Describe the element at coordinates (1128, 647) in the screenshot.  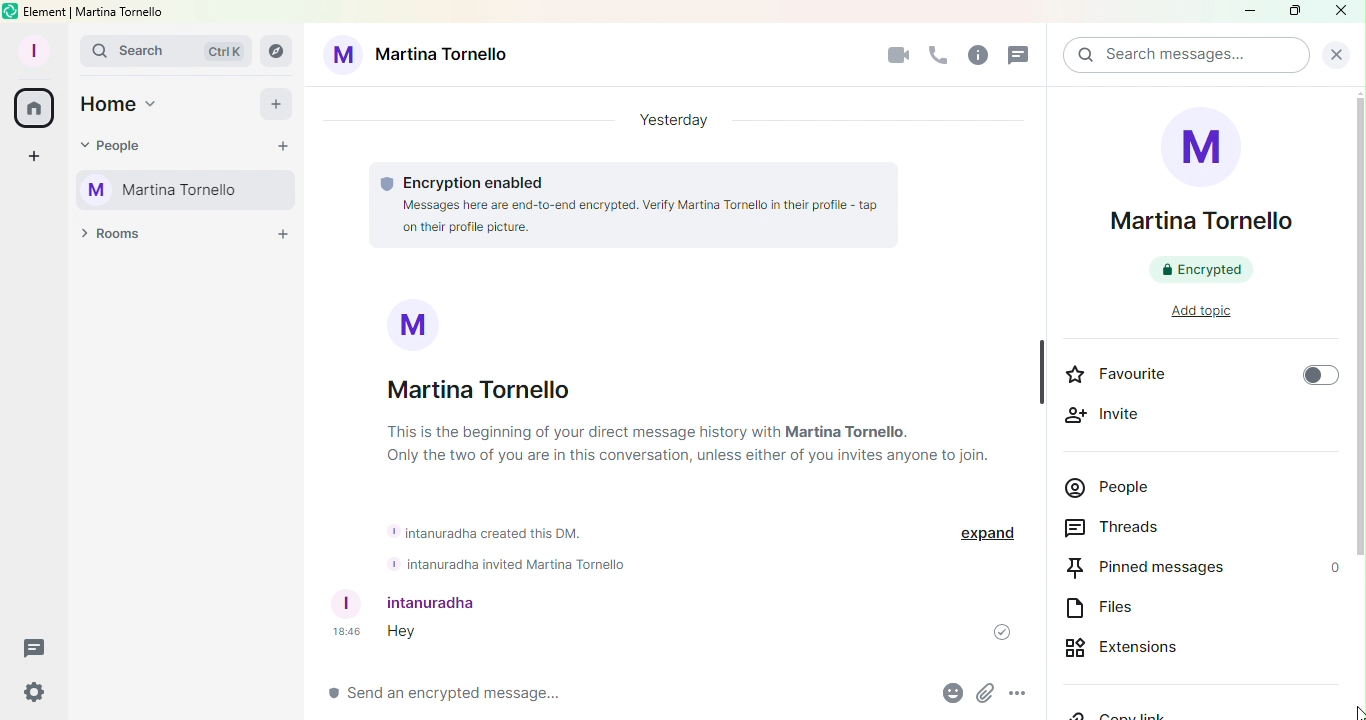
I see `Extensions` at that location.